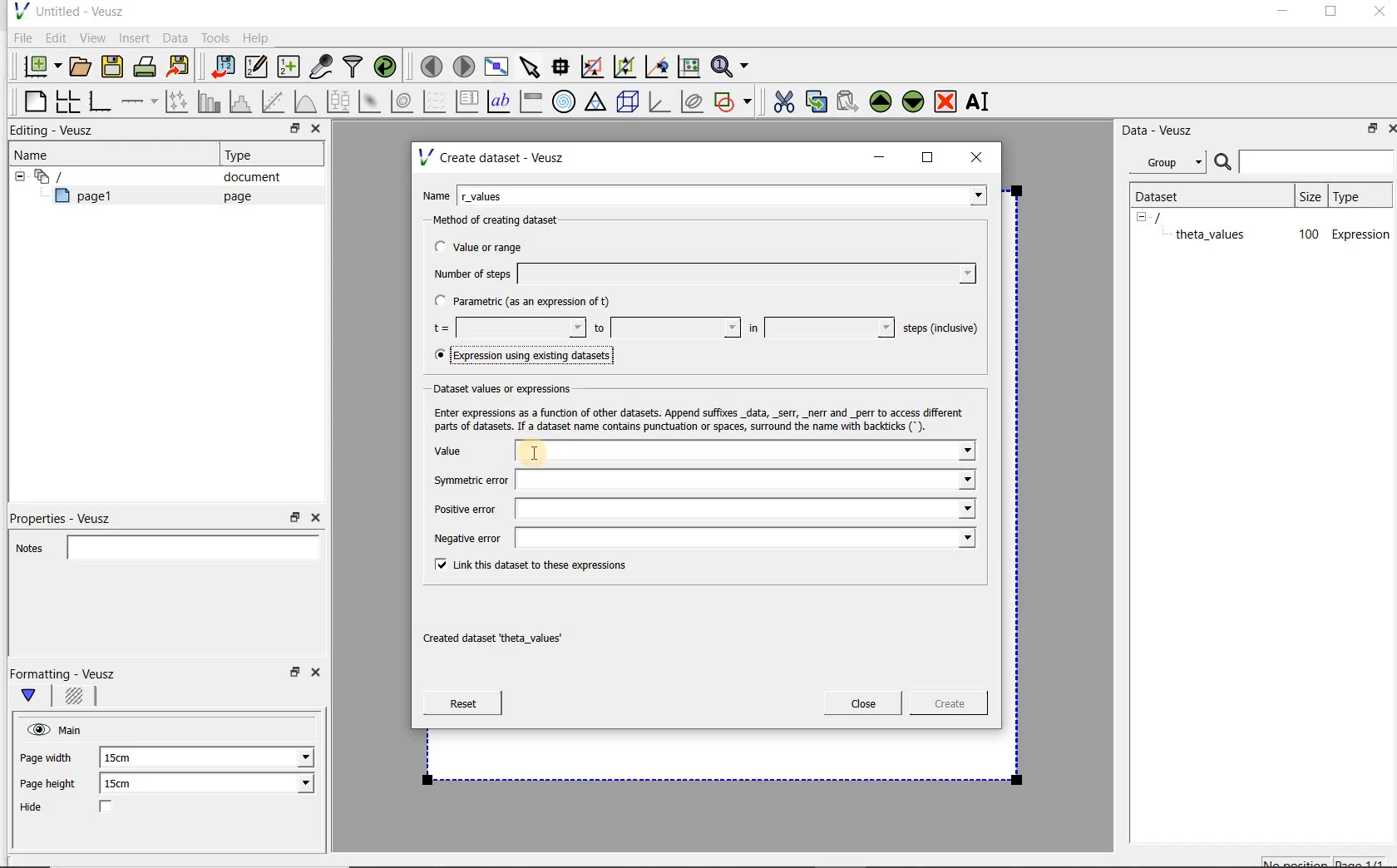 The image size is (1397, 868). I want to click on print the document, so click(148, 66).